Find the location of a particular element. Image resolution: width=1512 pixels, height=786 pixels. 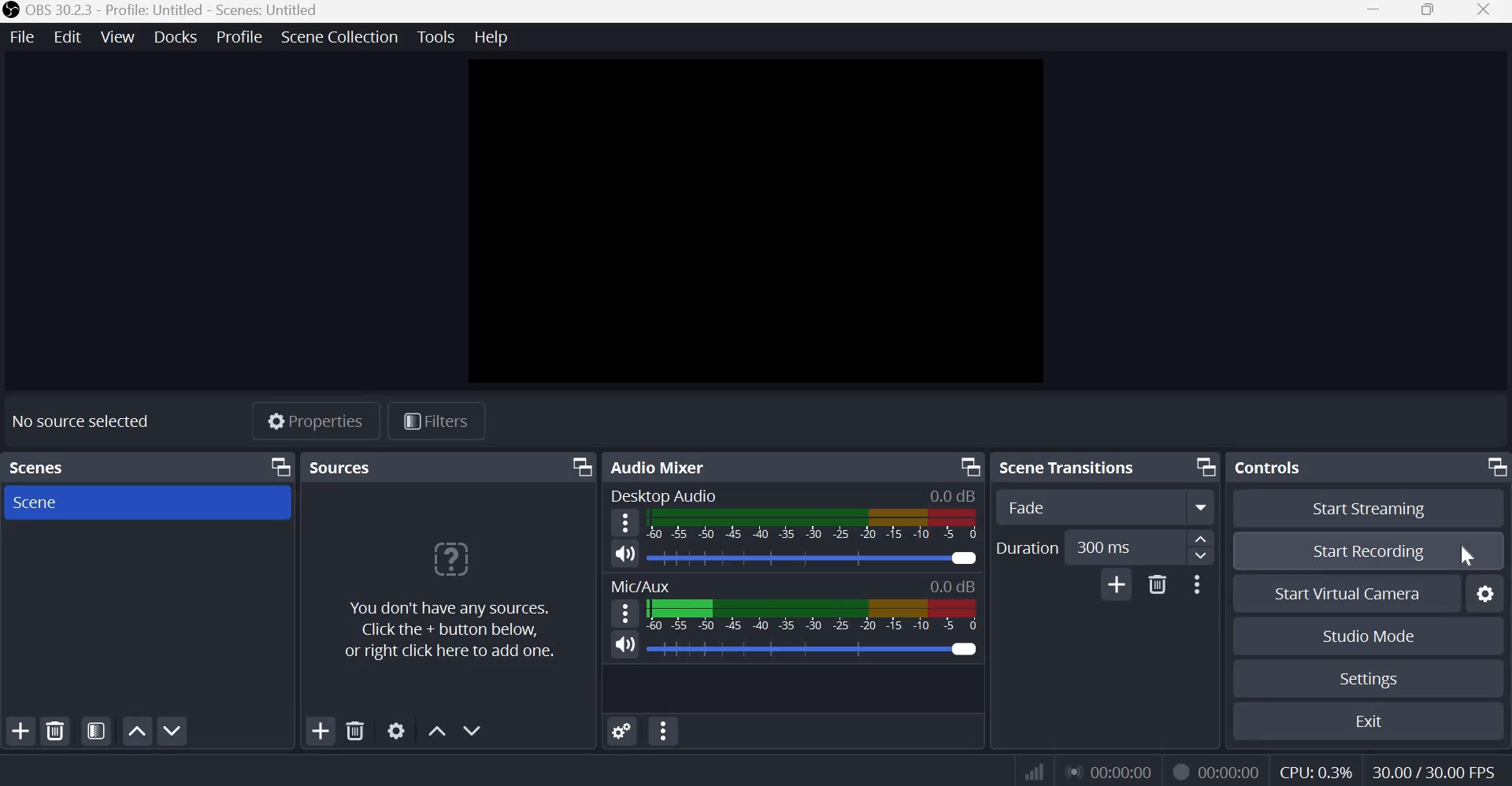

Dock Options icon is located at coordinates (278, 467).